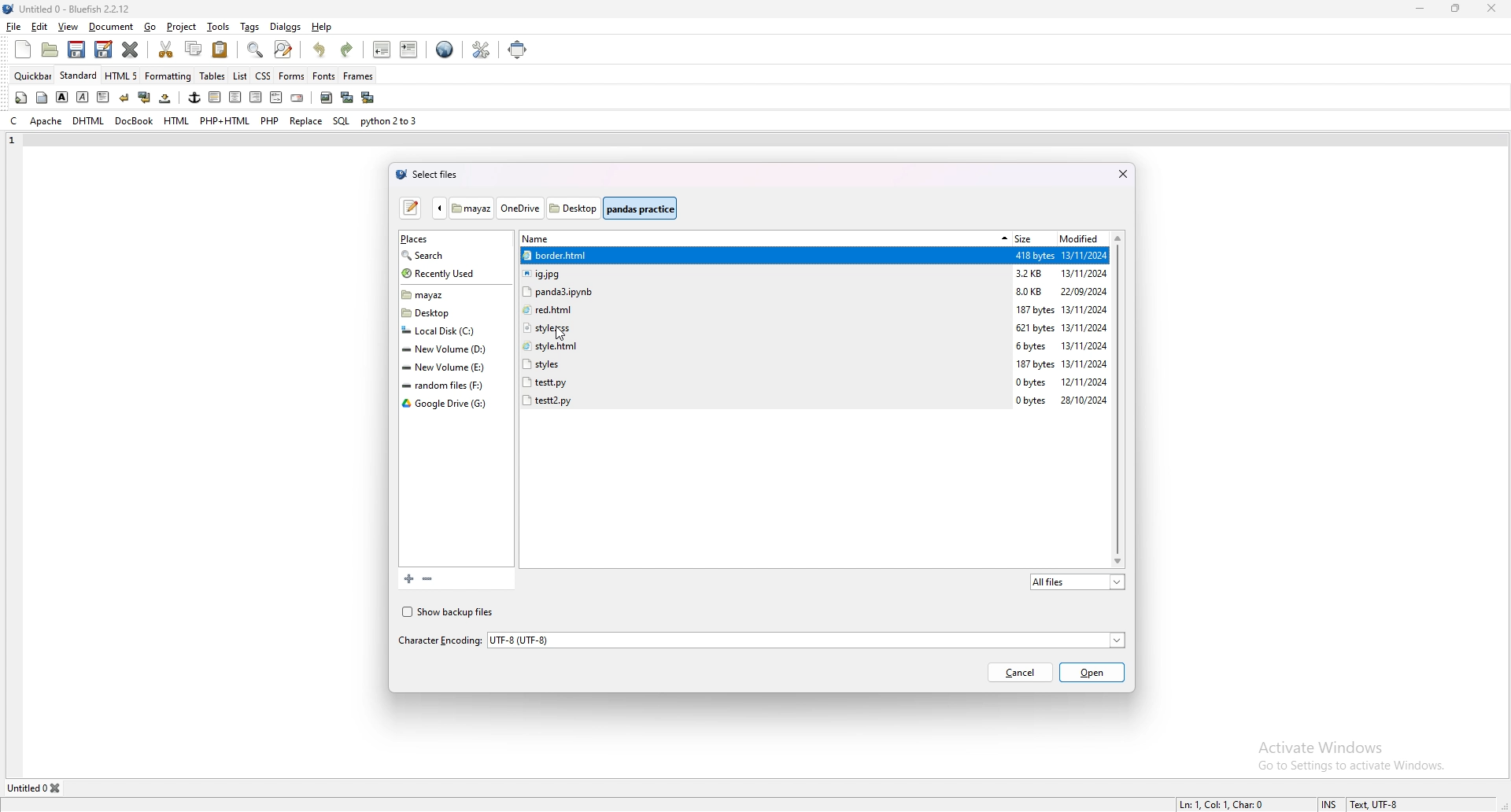  I want to click on cursor, so click(561, 336).